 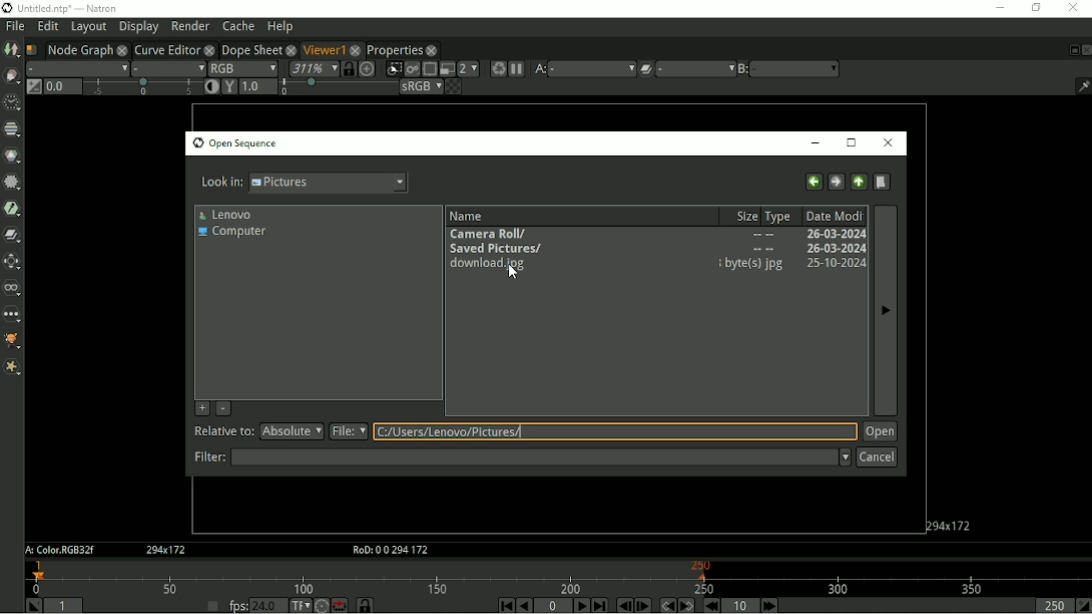 I want to click on Auto-contrast, so click(x=211, y=86).